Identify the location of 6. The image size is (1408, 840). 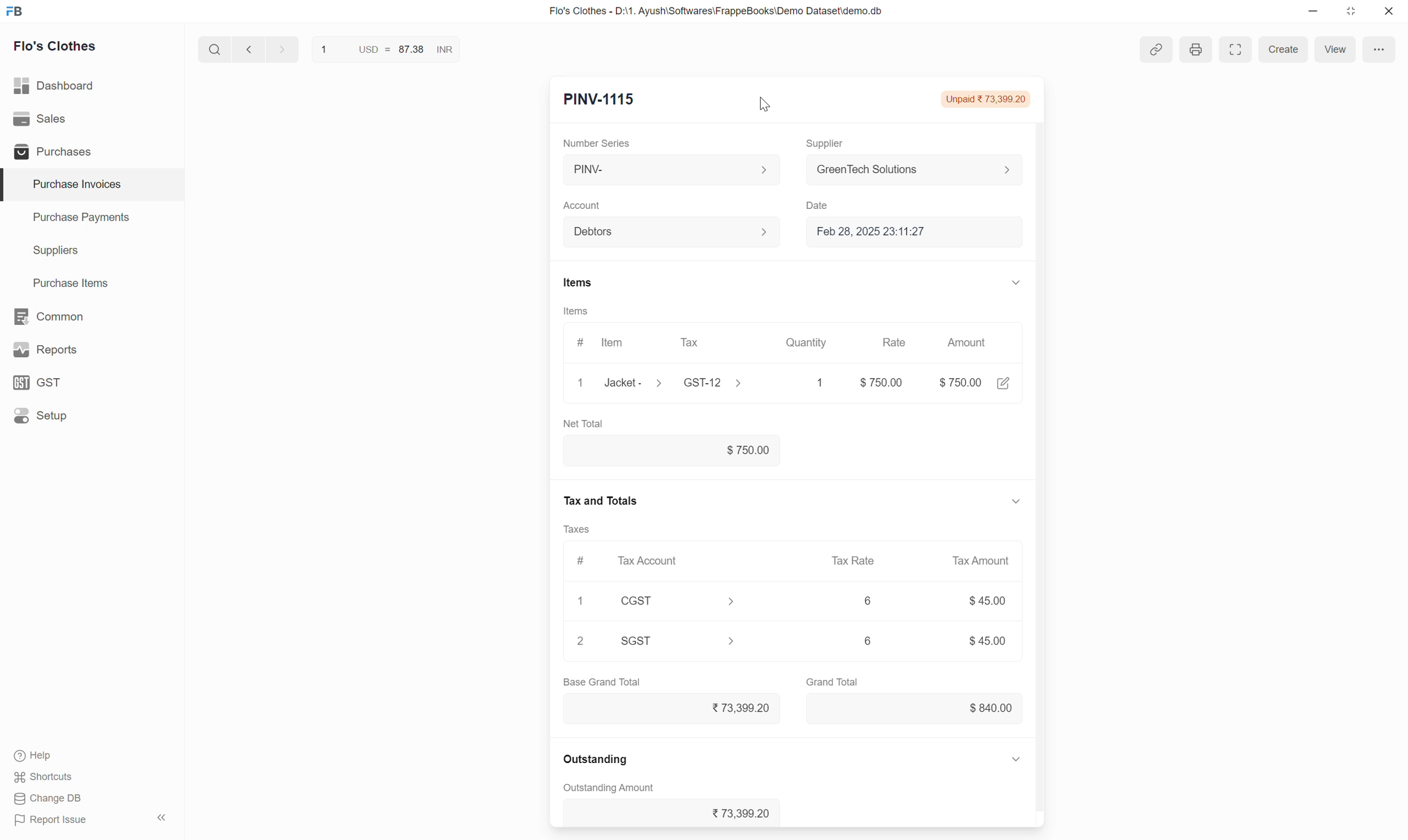
(868, 641).